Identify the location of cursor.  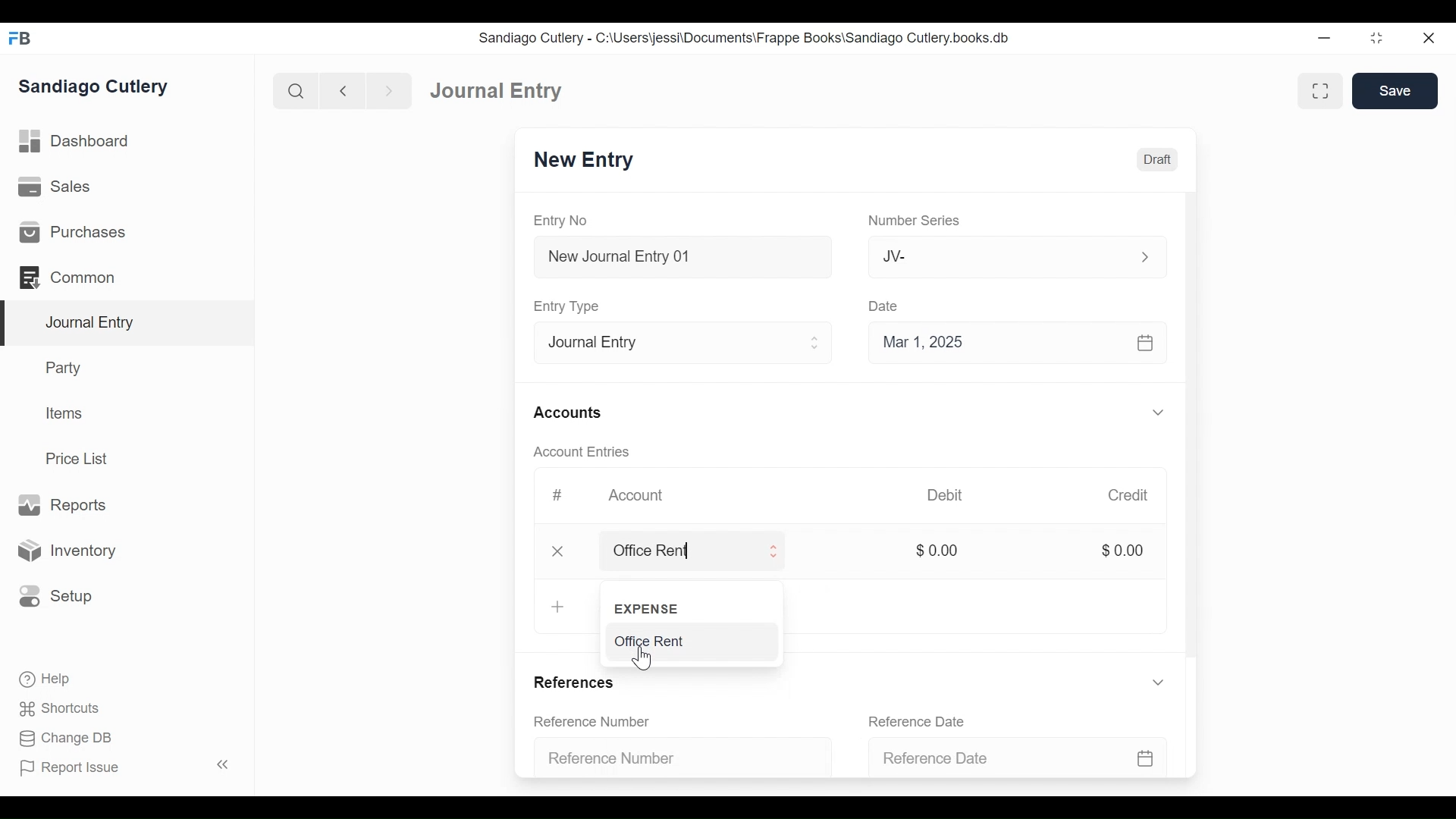
(641, 659).